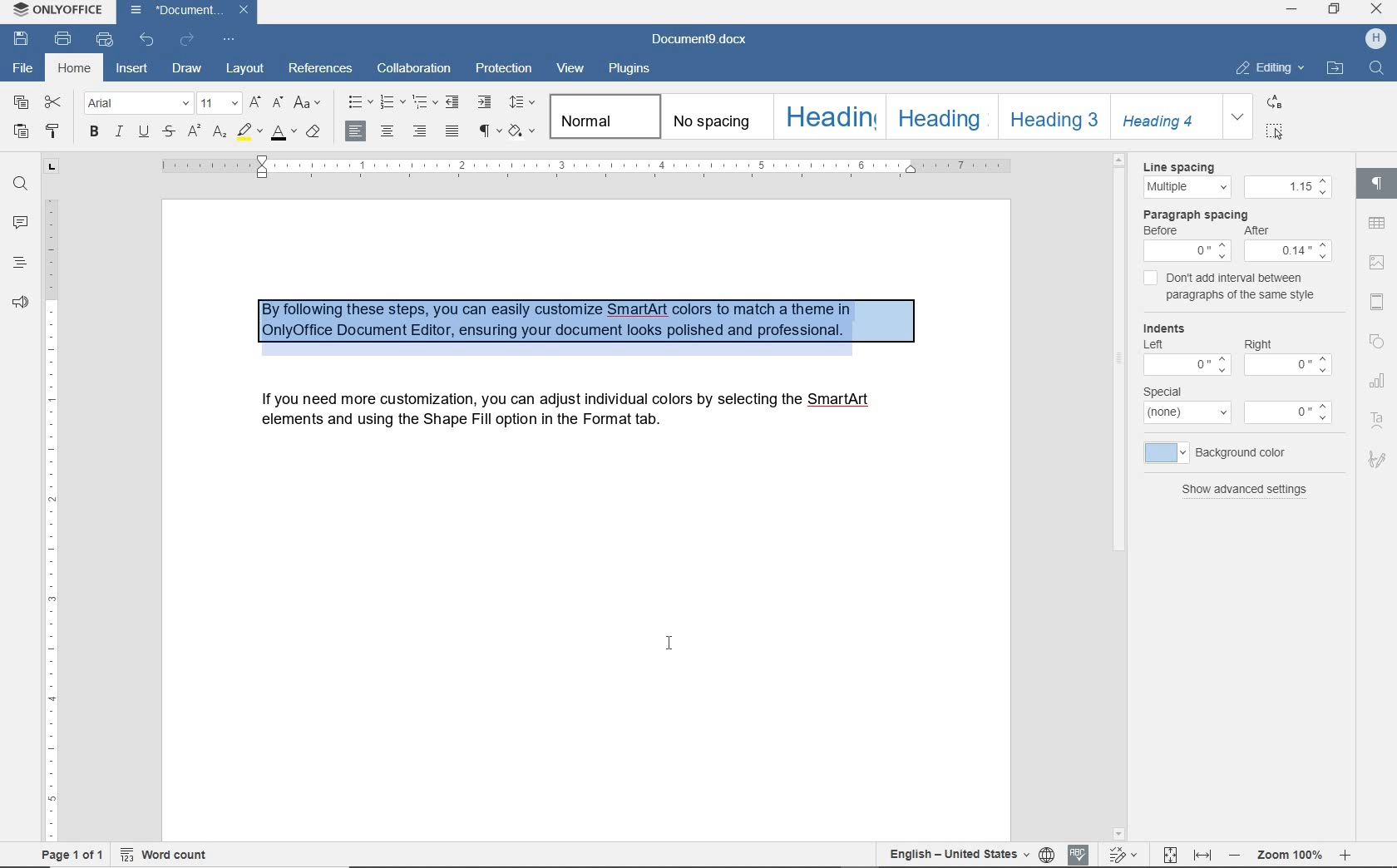  What do you see at coordinates (1047, 852) in the screenshot?
I see `set document language` at bounding box center [1047, 852].